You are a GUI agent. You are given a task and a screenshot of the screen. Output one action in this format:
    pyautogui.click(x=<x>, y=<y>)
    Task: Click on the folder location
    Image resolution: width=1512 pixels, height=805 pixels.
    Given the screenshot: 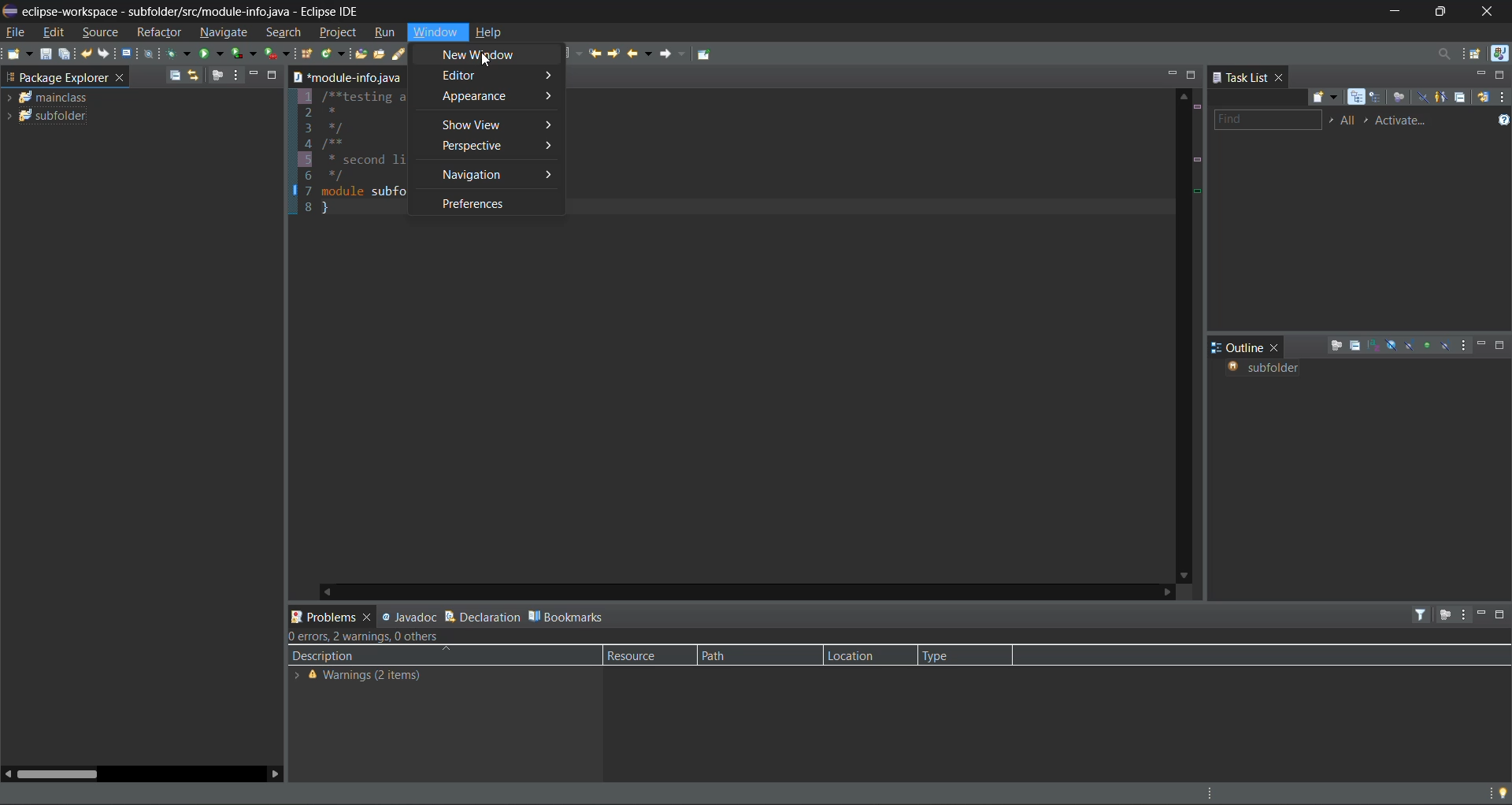 What is the action you would take?
    pyautogui.click(x=346, y=77)
    